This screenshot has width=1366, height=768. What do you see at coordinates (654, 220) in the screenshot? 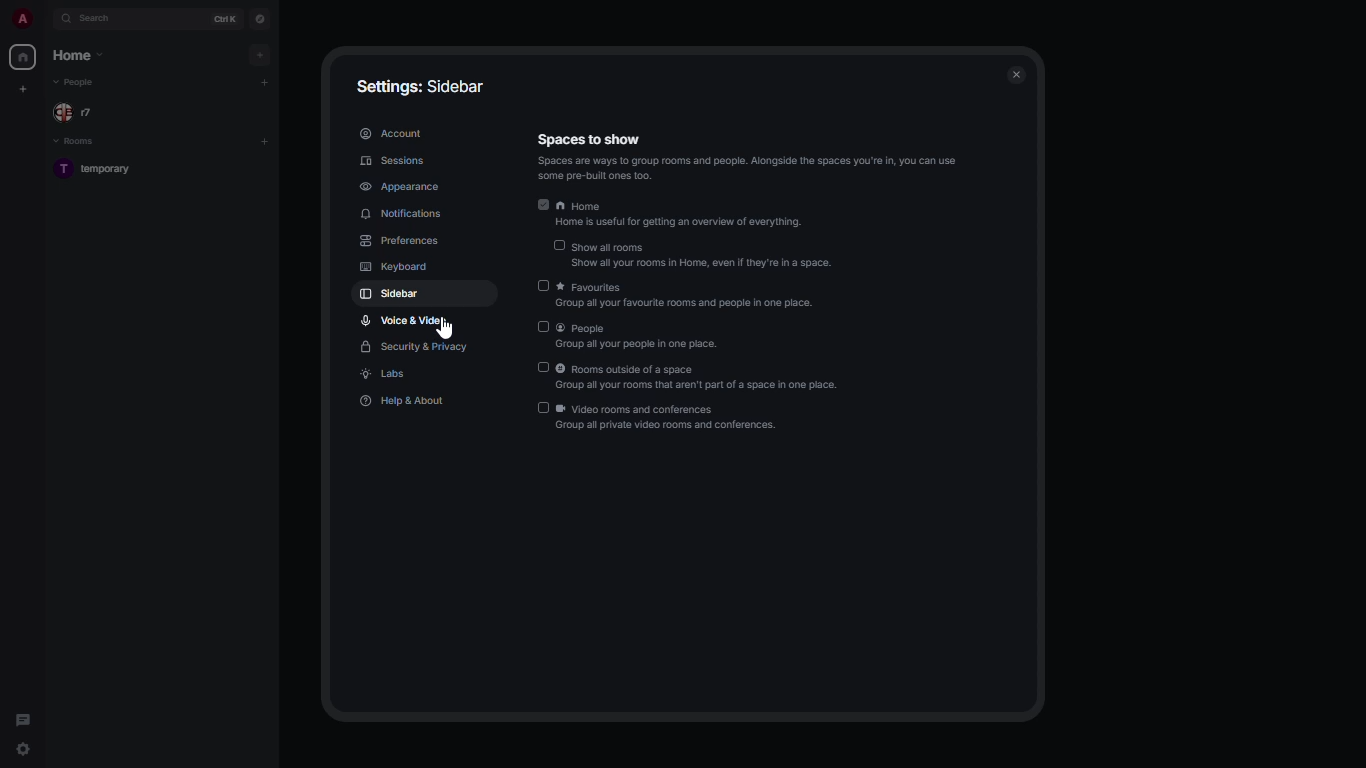
I see `‘Home is useful for getting an overview of everythin` at bounding box center [654, 220].